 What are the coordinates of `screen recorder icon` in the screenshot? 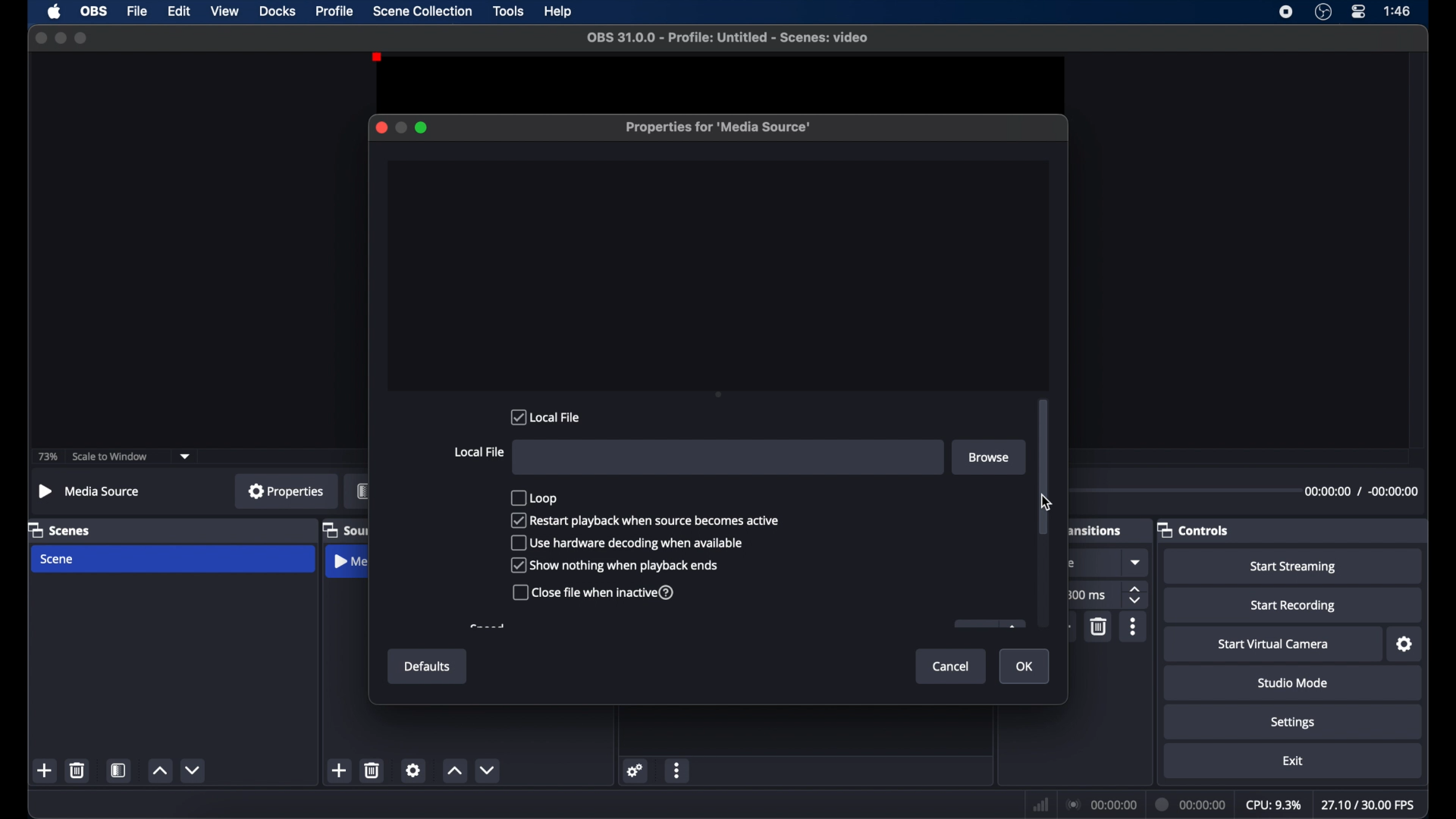 It's located at (1286, 12).